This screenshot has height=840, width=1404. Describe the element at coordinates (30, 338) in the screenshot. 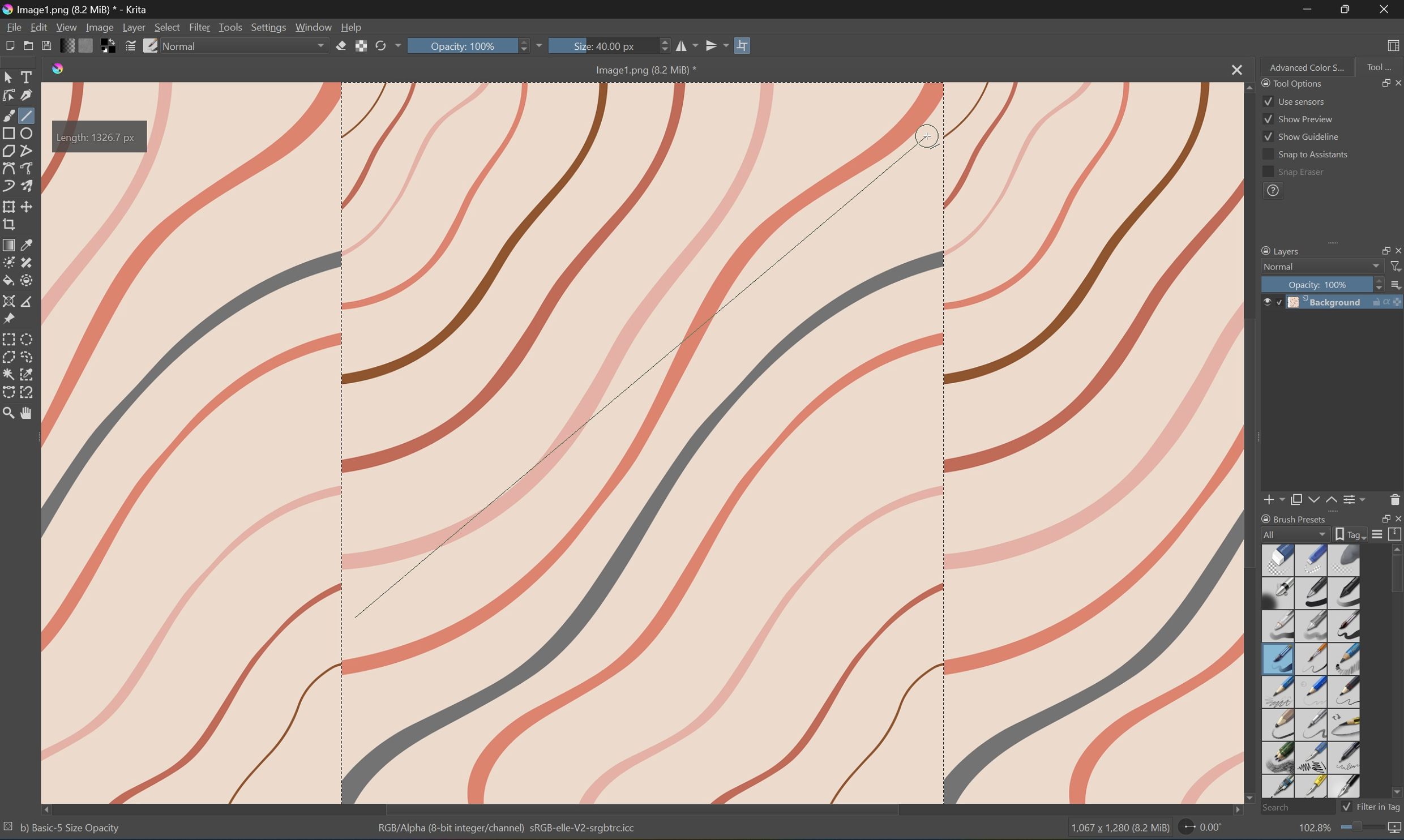

I see `Elliptical selection tool` at that location.